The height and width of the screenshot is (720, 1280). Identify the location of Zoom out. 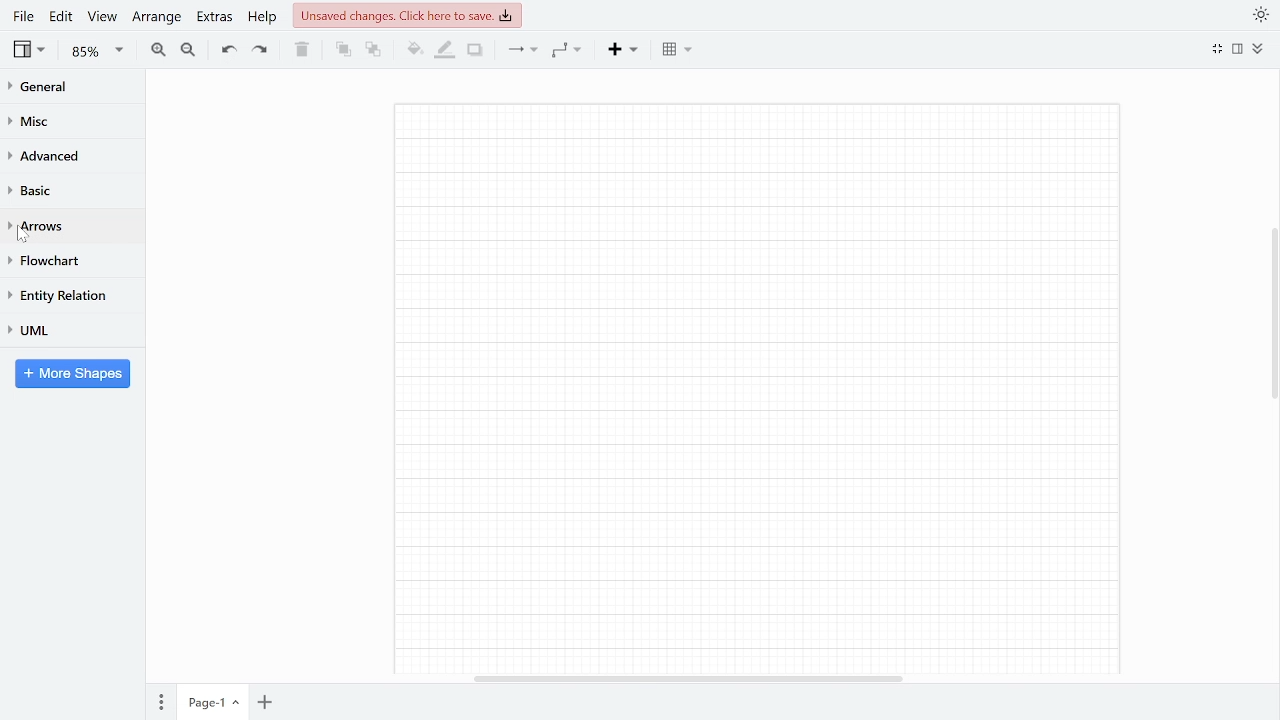
(188, 50).